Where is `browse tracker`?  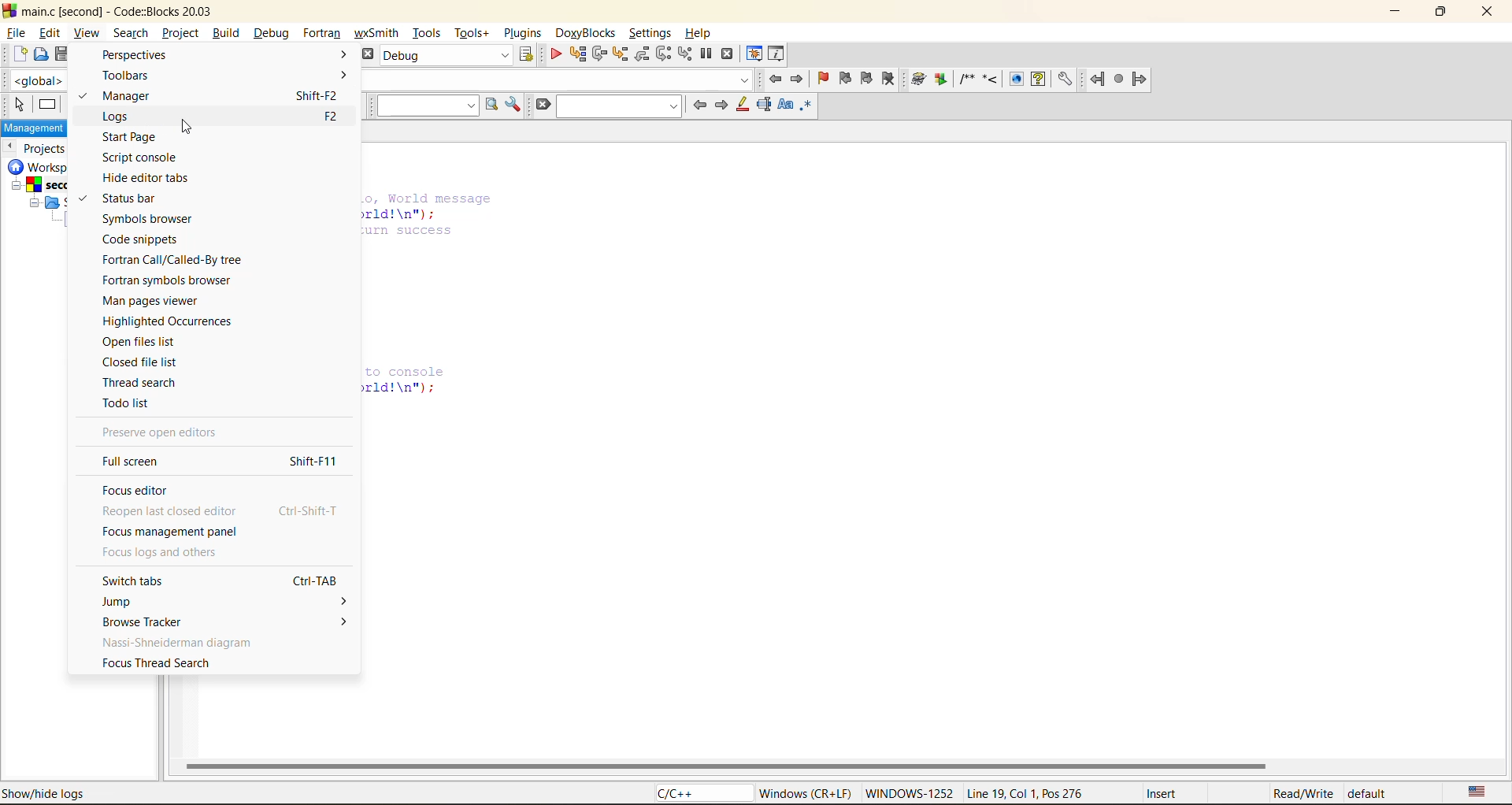 browse tracker is located at coordinates (139, 621).